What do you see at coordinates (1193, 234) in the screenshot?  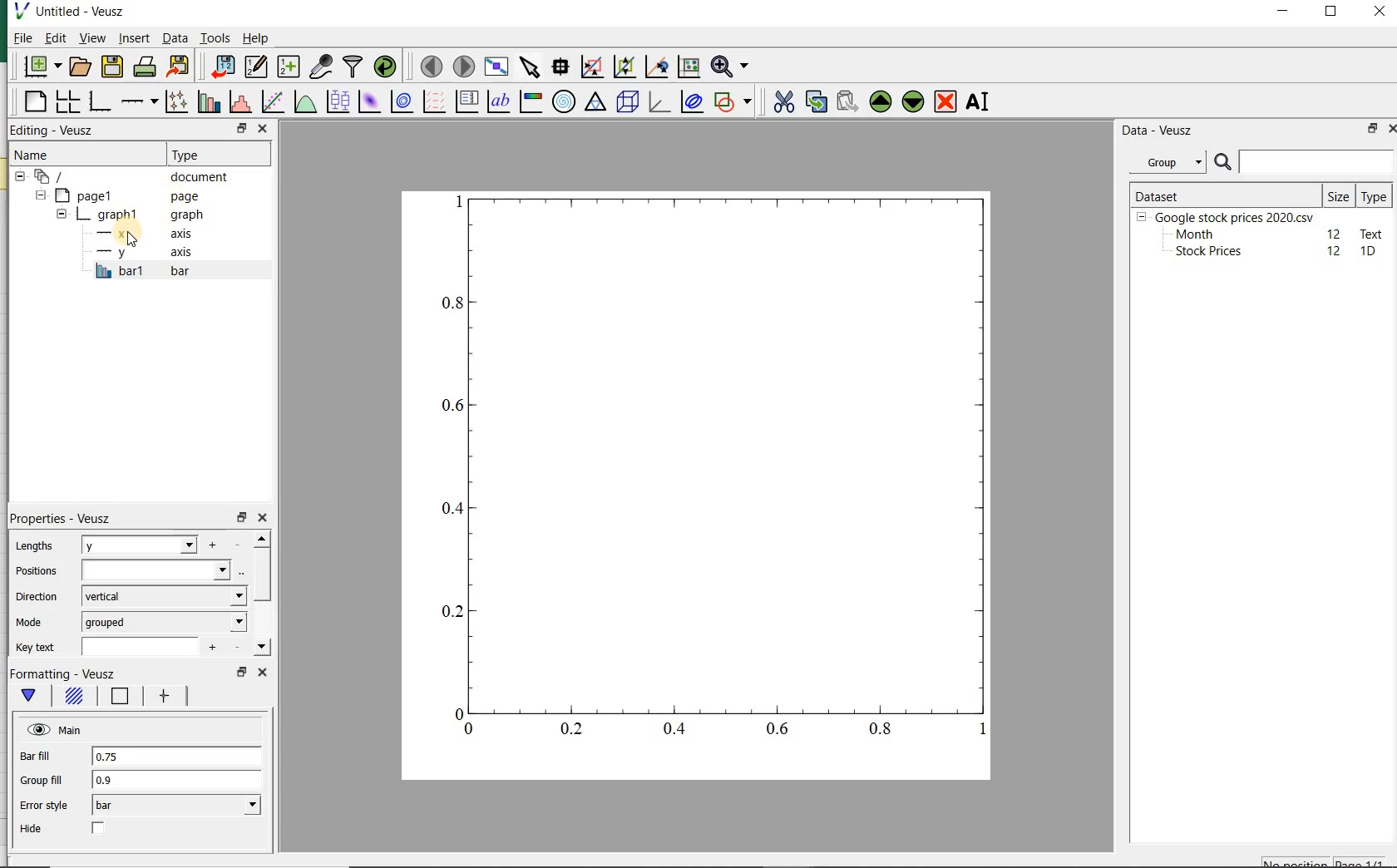 I see `Month` at bounding box center [1193, 234].